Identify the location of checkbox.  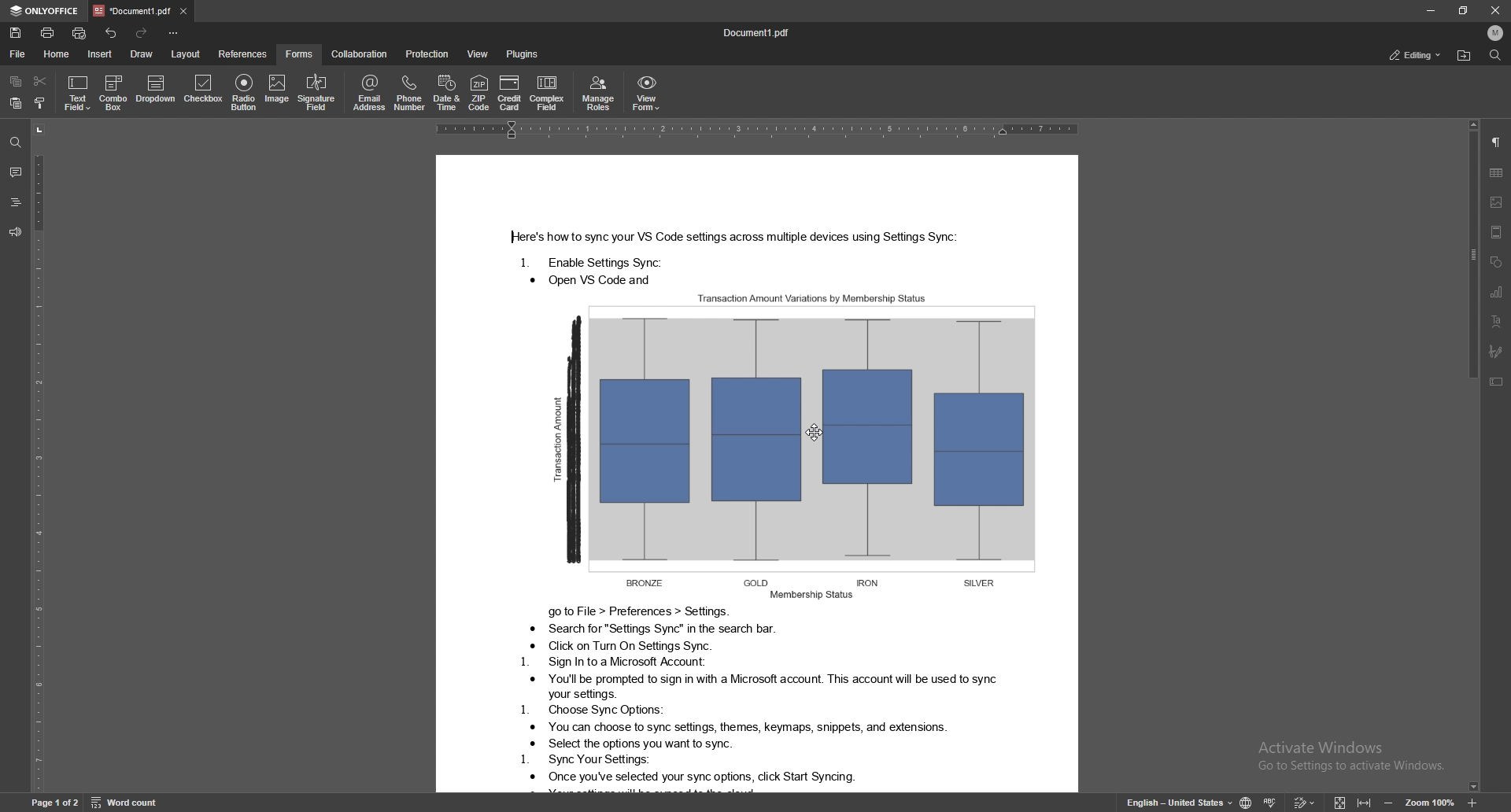
(205, 90).